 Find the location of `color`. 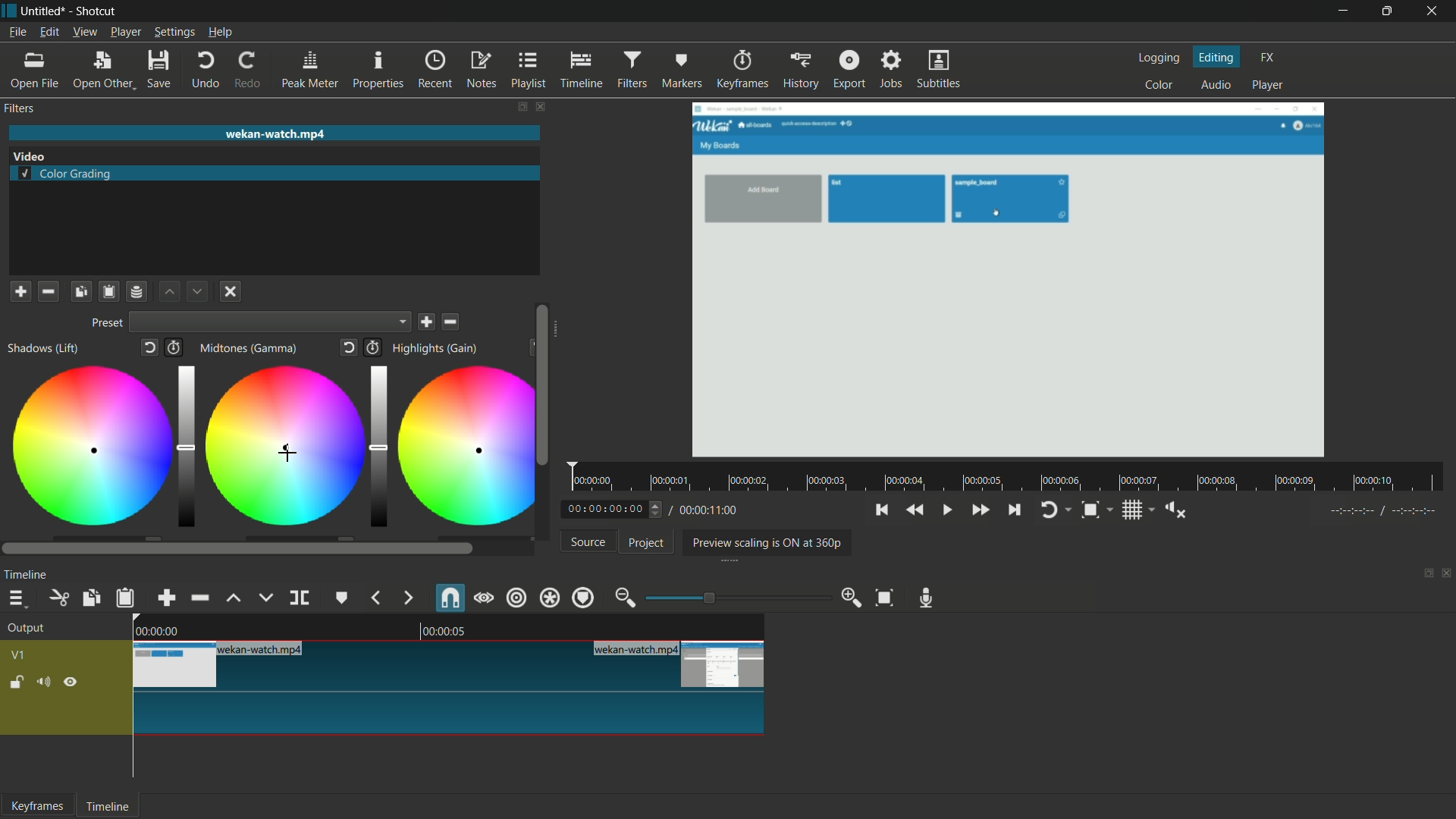

color is located at coordinates (1159, 86).